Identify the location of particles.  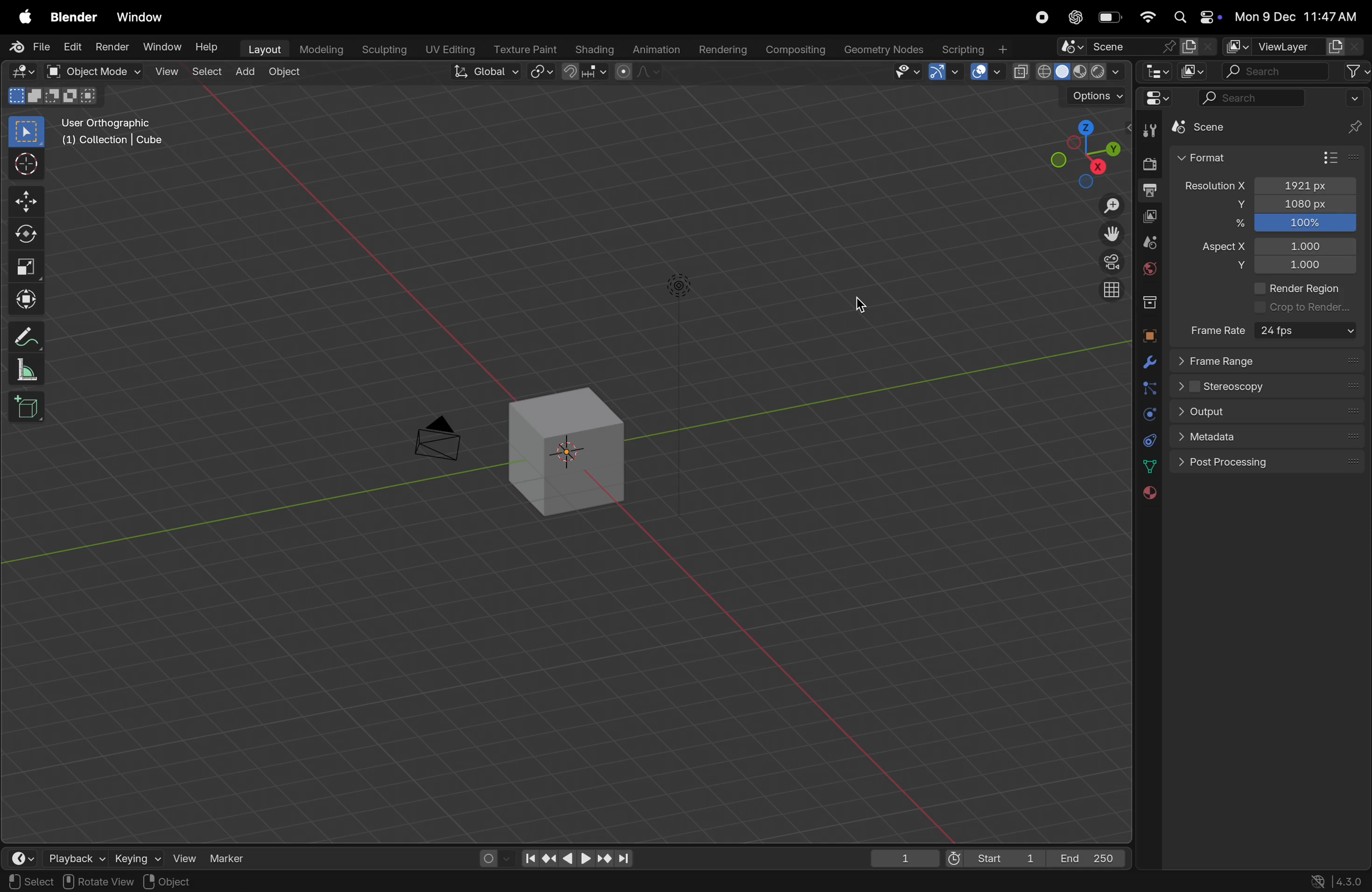
(1148, 387).